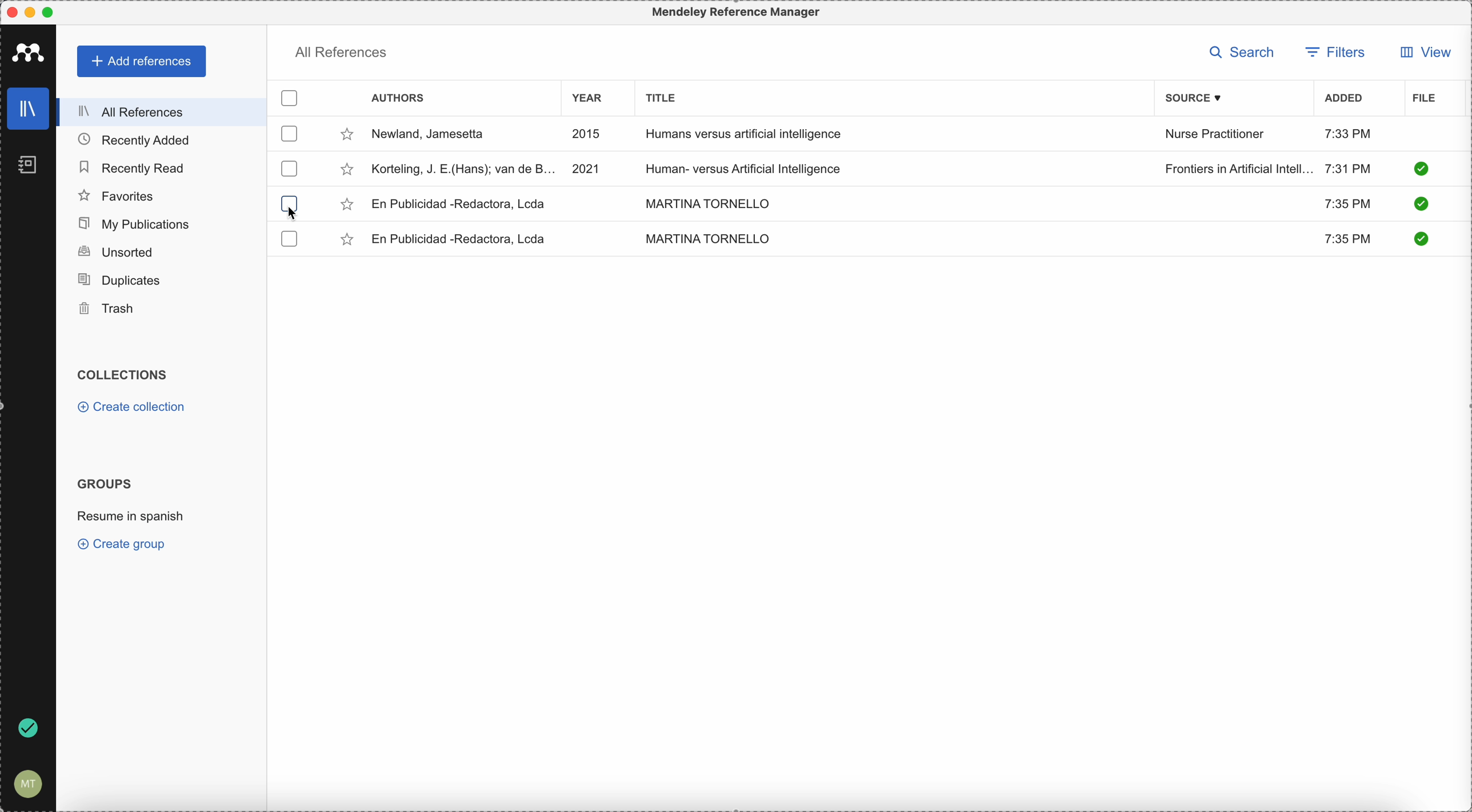  What do you see at coordinates (135, 224) in the screenshot?
I see `my publications` at bounding box center [135, 224].